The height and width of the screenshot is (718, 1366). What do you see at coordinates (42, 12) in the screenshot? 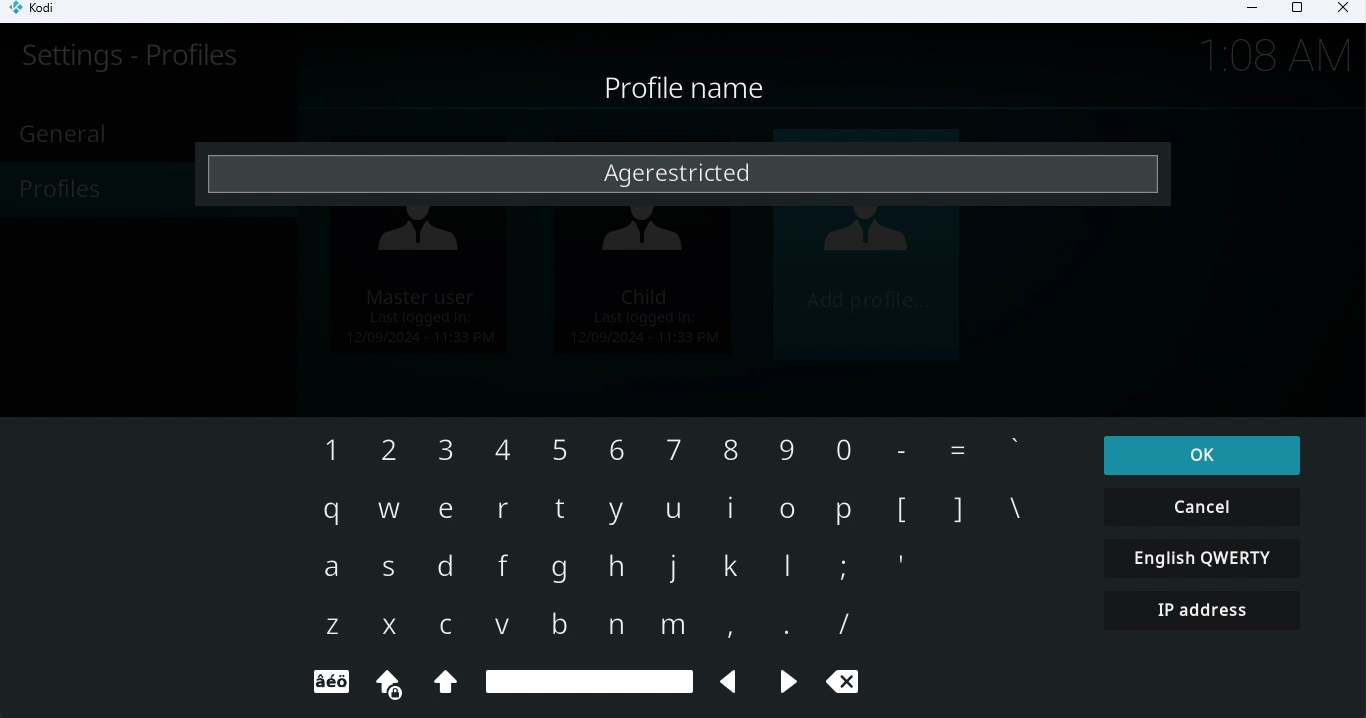
I see `Kodi icon` at bounding box center [42, 12].